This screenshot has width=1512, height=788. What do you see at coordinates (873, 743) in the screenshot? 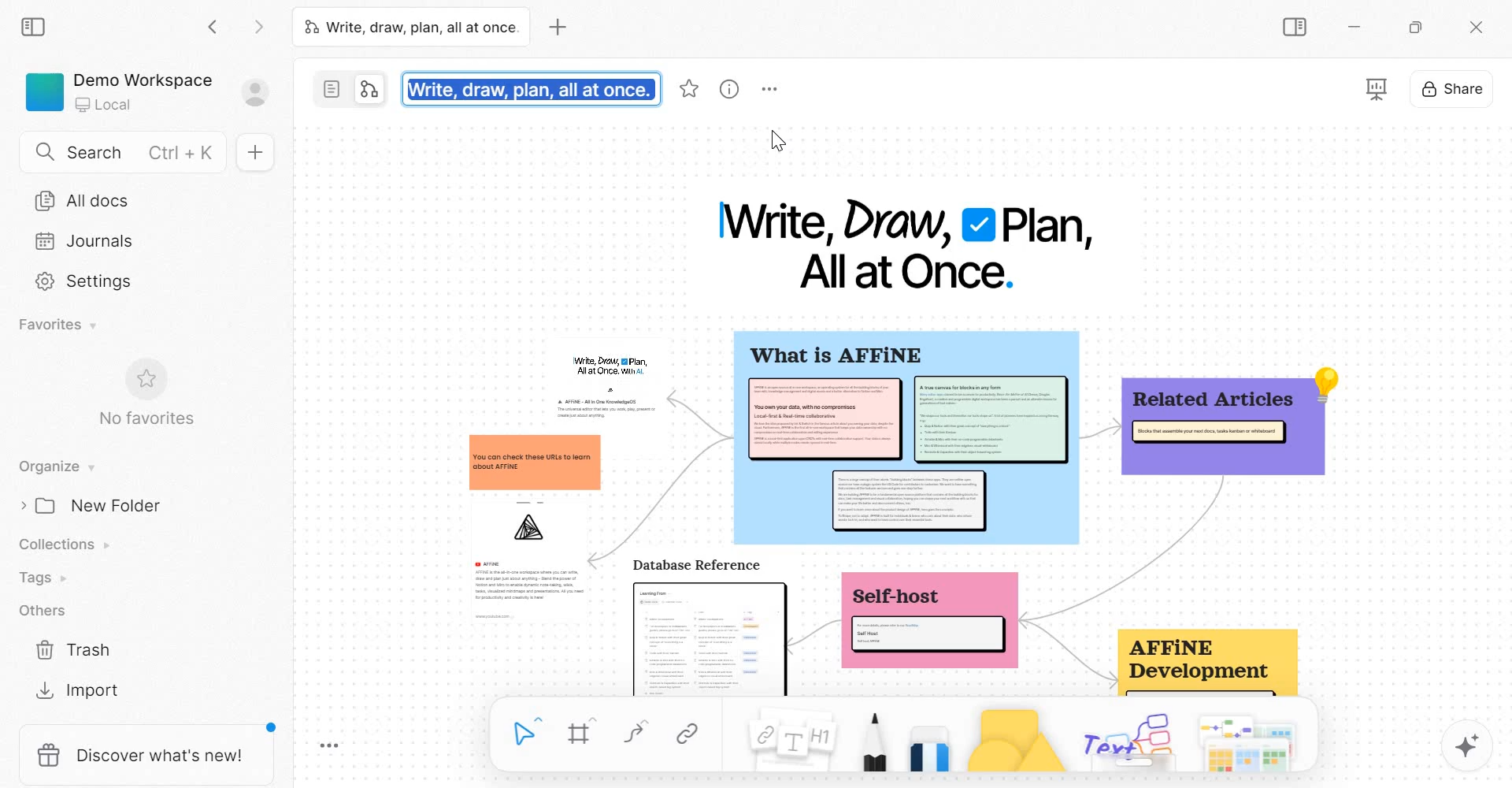
I see `Pen` at bounding box center [873, 743].